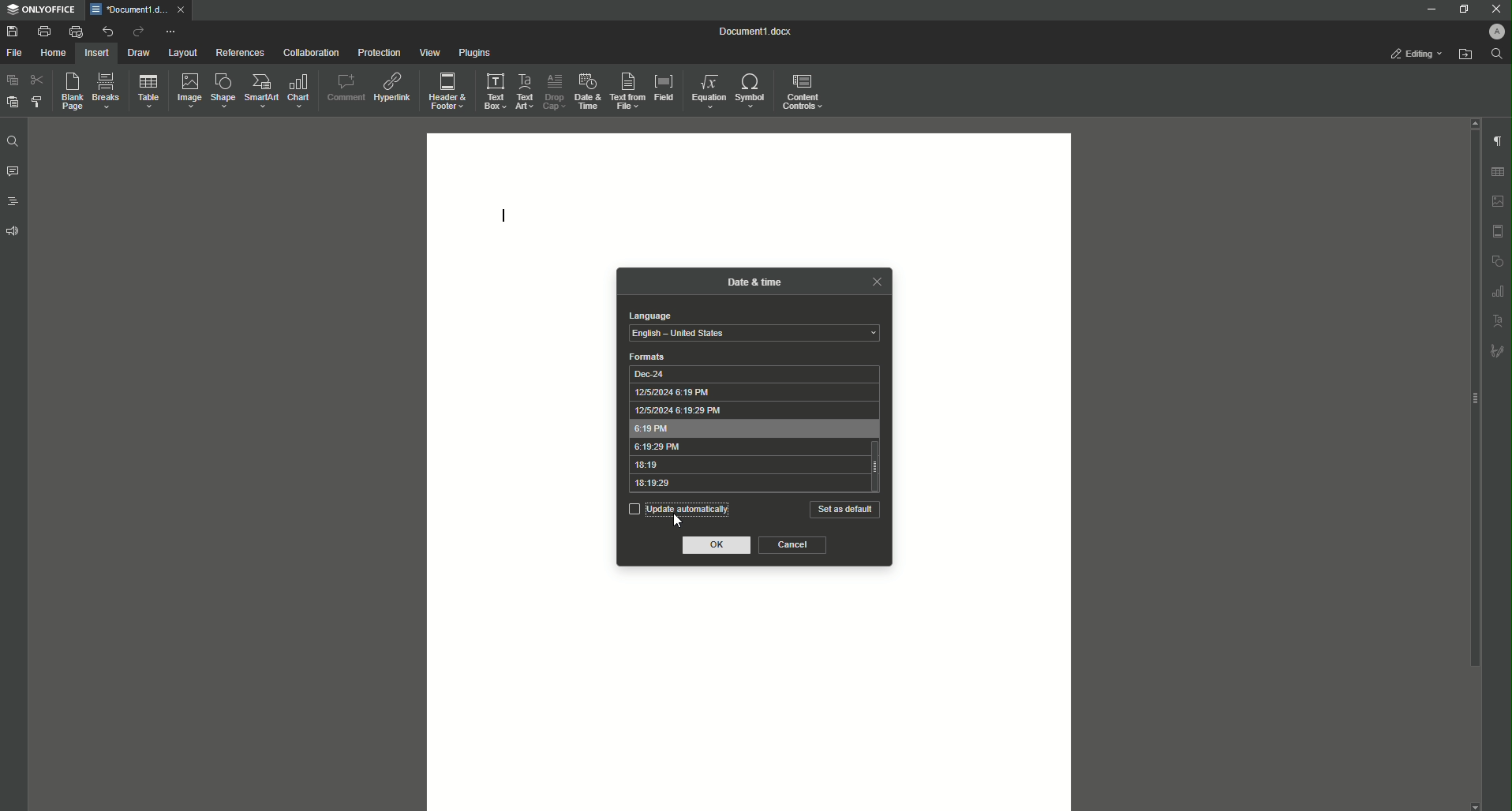  What do you see at coordinates (447, 88) in the screenshot?
I see `Header and Footer` at bounding box center [447, 88].